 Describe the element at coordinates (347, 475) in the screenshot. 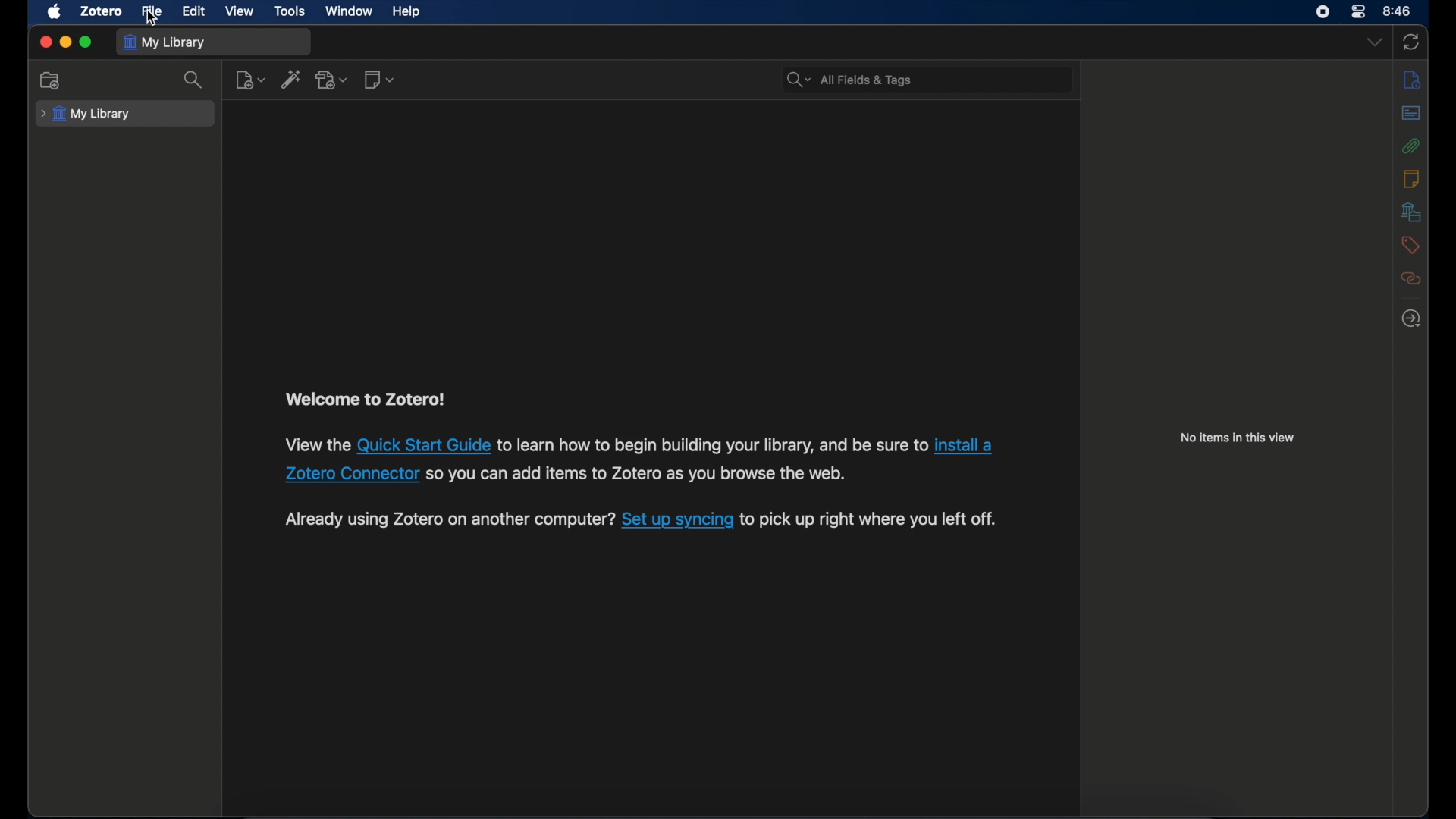

I see `Zotero connector link` at that location.